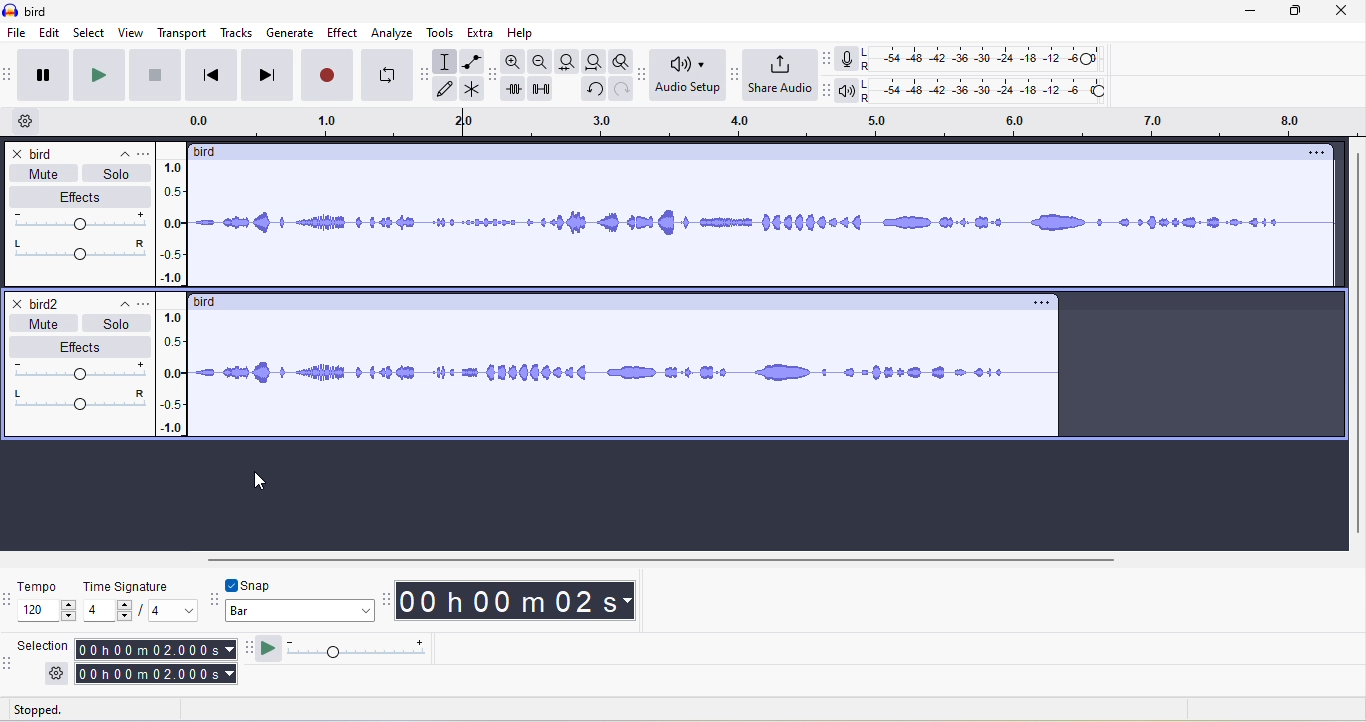  What do you see at coordinates (1344, 12) in the screenshot?
I see `close` at bounding box center [1344, 12].